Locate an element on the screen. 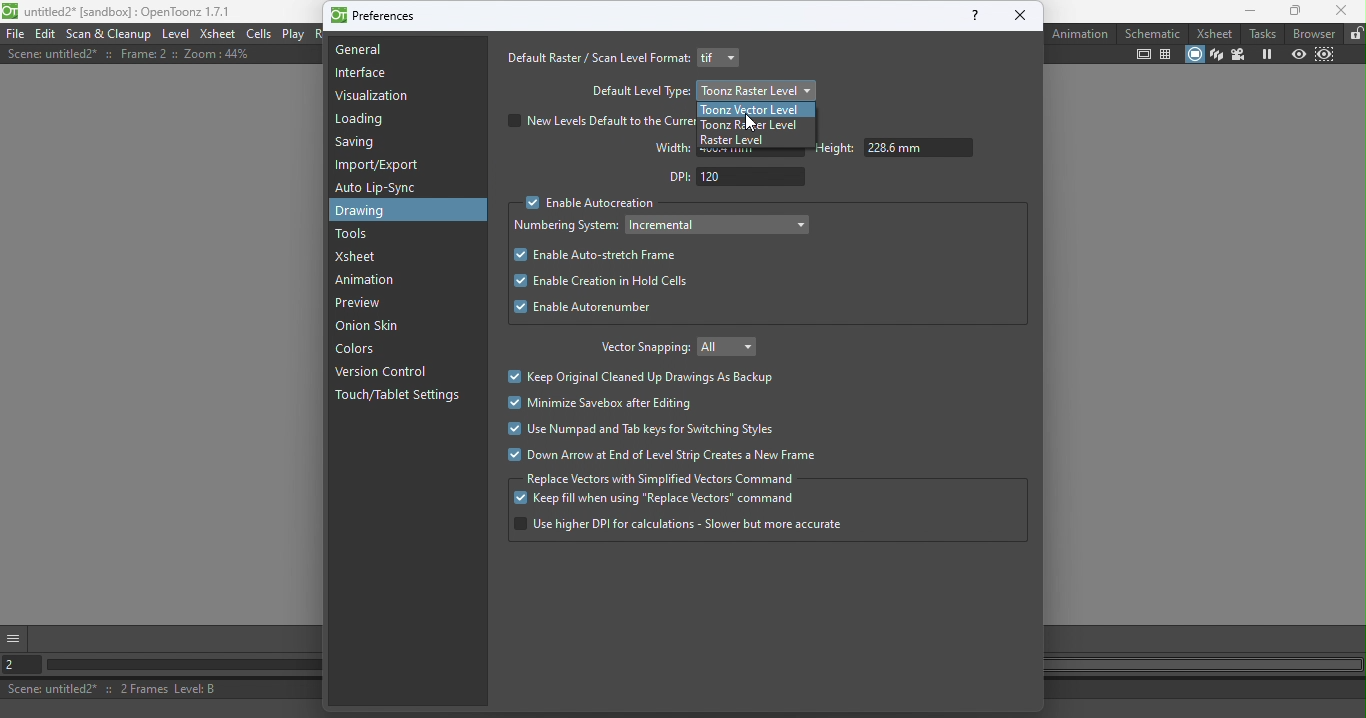 This screenshot has height=718, width=1366. Toonz vector level is located at coordinates (745, 108).